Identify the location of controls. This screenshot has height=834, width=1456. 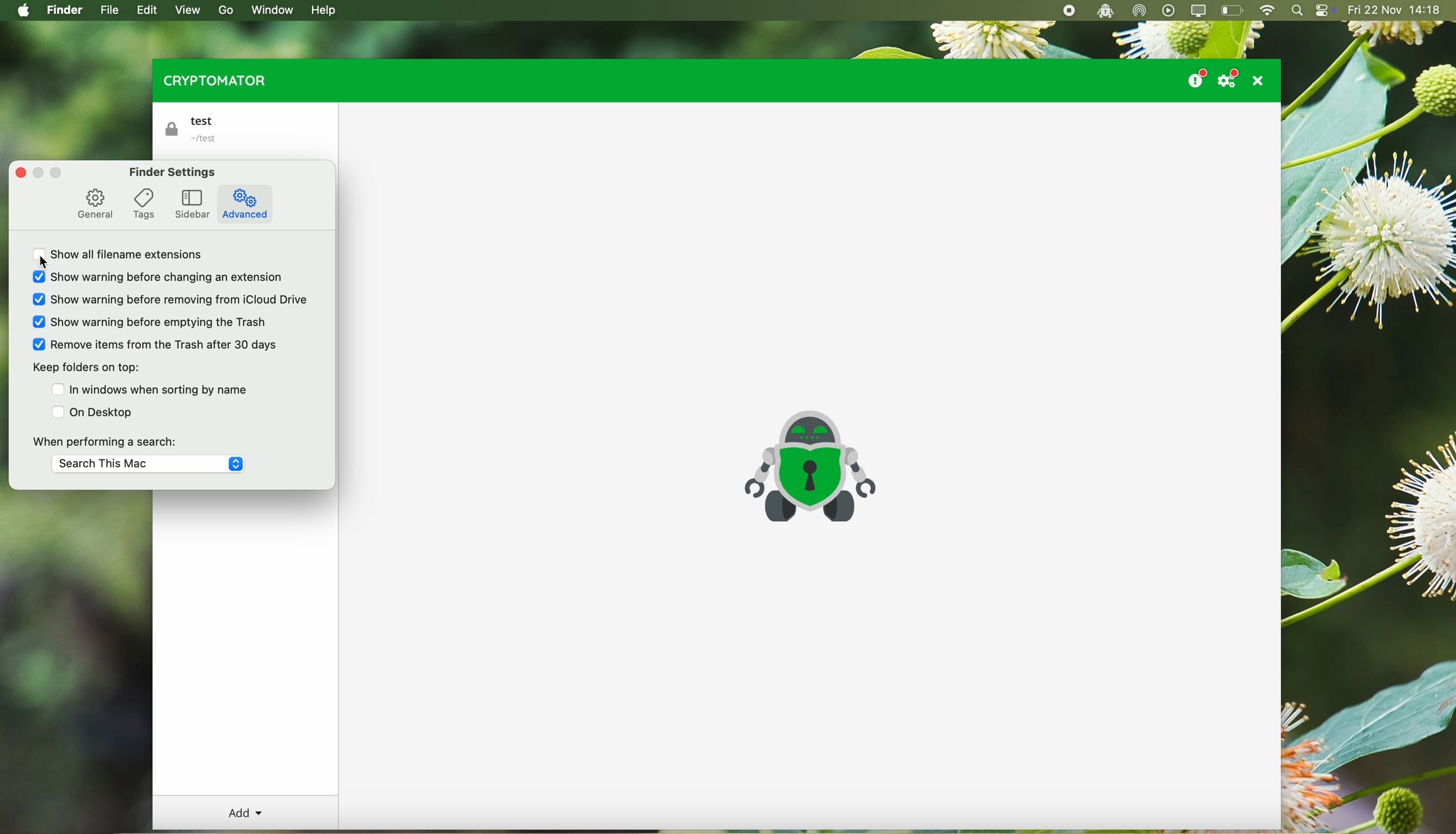
(1325, 11).